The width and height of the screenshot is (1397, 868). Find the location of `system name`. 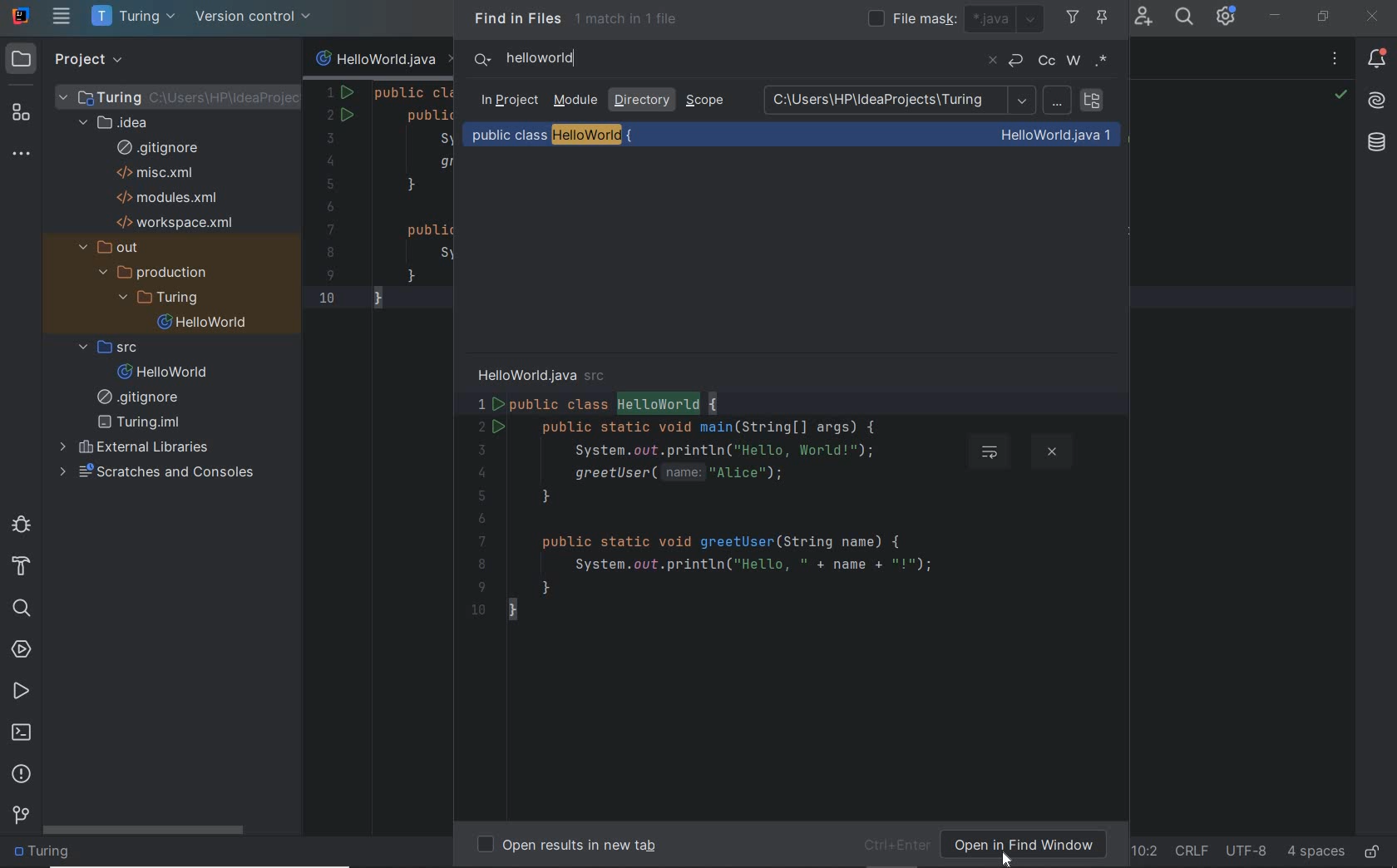

system name is located at coordinates (21, 16).